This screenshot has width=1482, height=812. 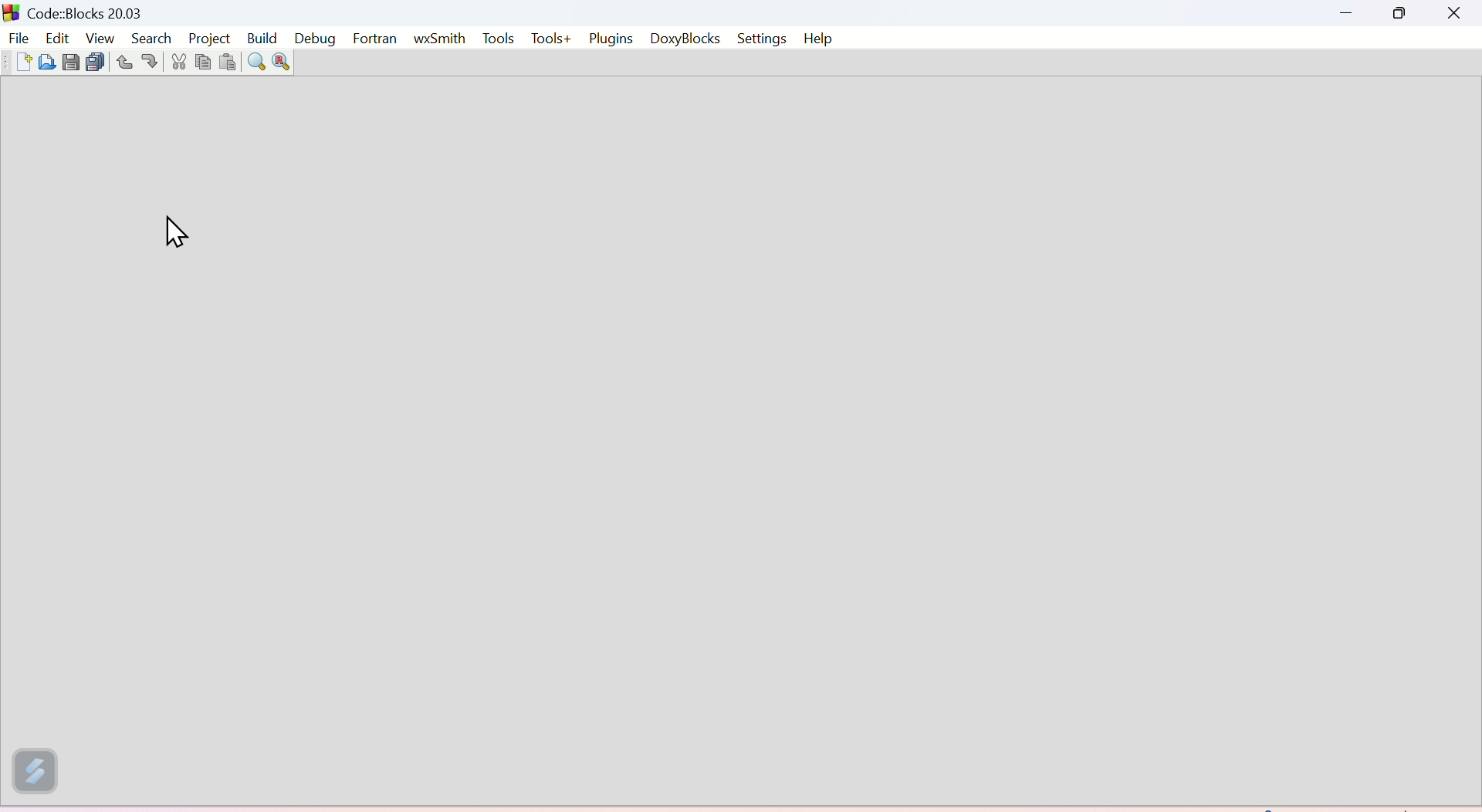 What do you see at coordinates (1388, 805) in the screenshot?
I see `Default` at bounding box center [1388, 805].